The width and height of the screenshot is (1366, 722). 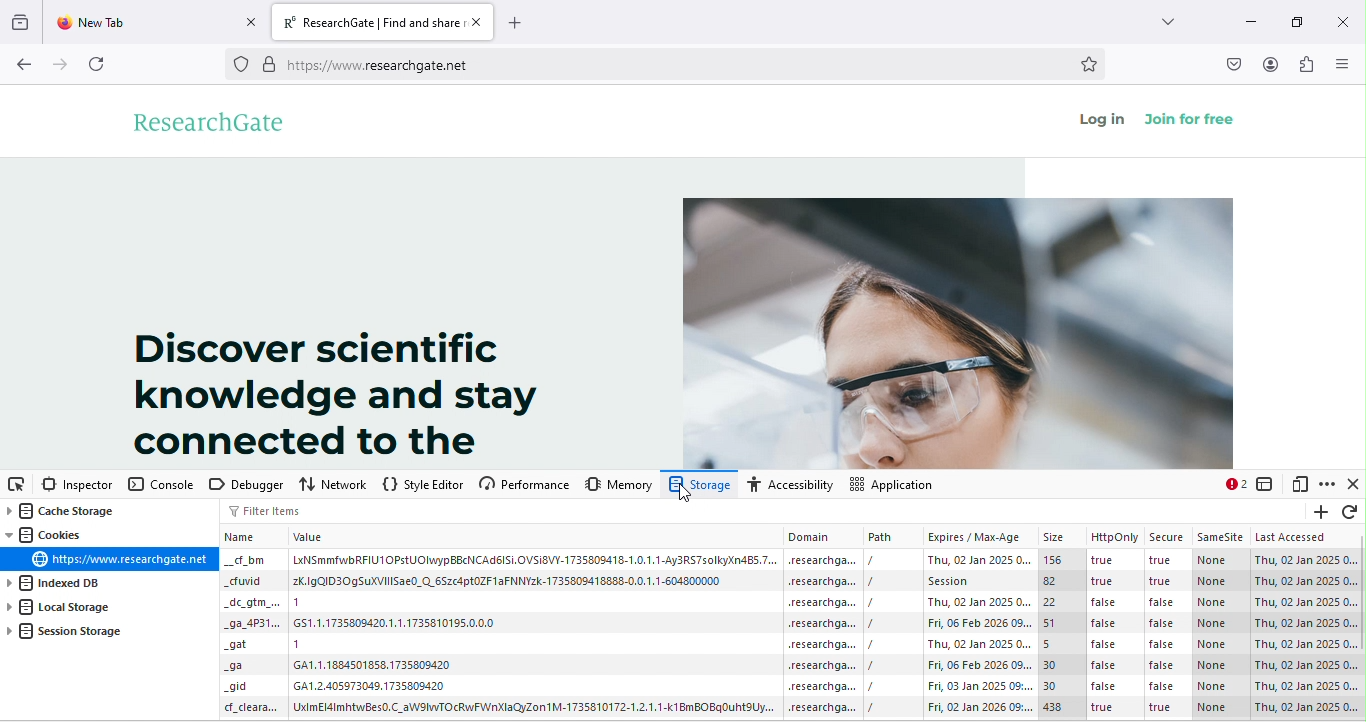 I want to click on false, so click(x=1162, y=685).